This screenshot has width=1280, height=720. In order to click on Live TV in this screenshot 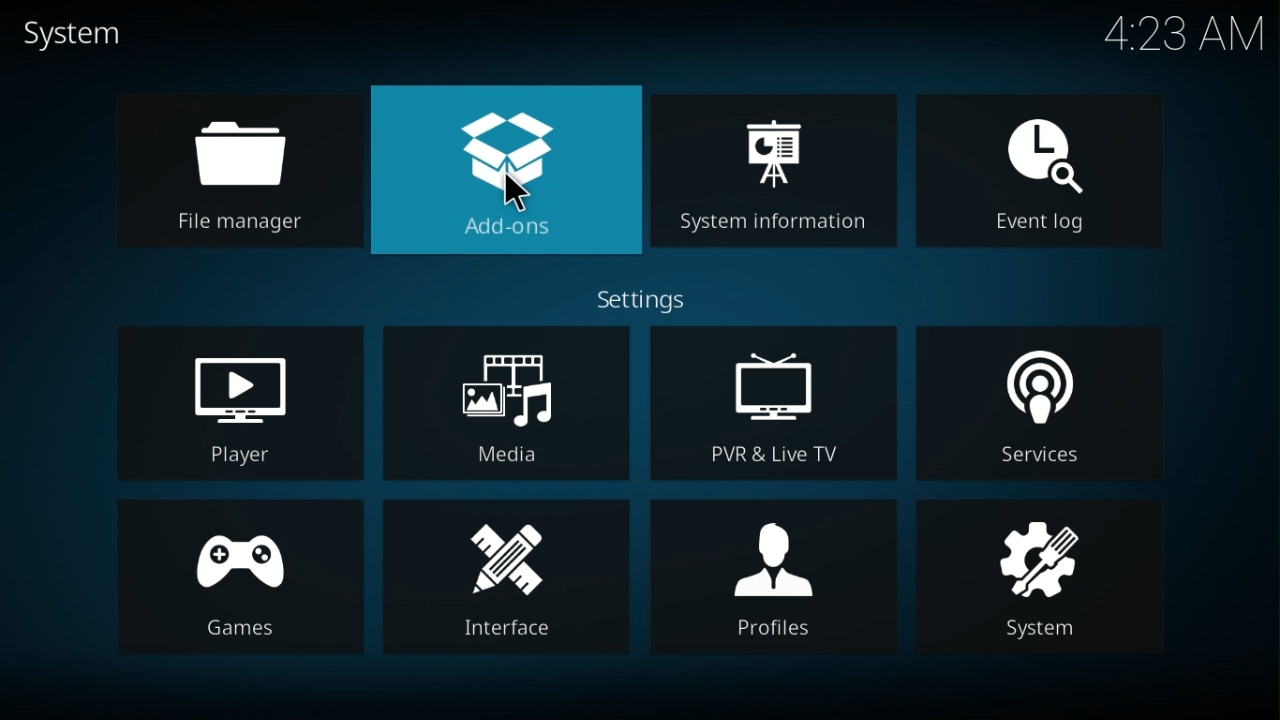, I will do `click(769, 404)`.